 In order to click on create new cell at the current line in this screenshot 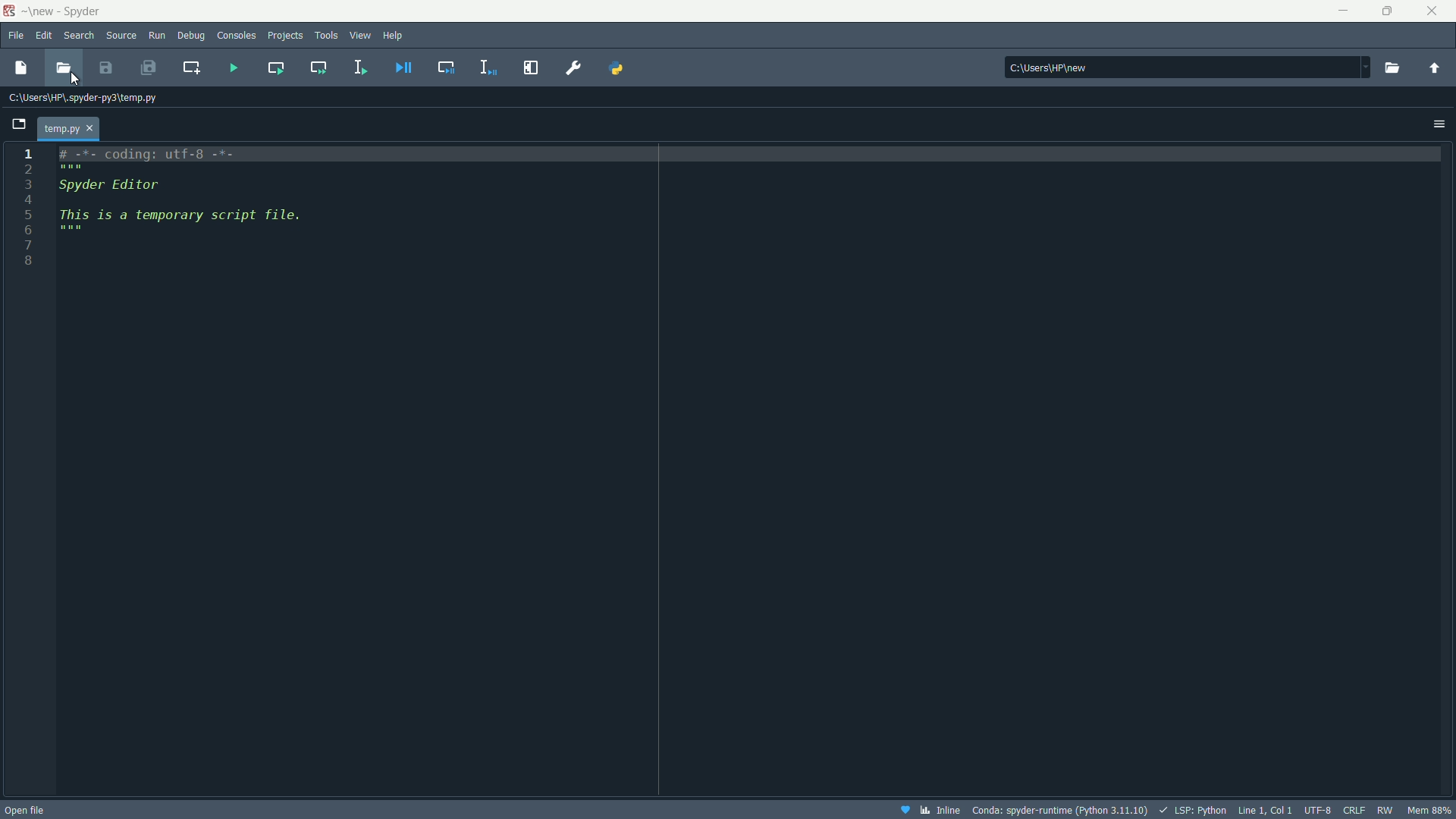, I will do `click(190, 67)`.